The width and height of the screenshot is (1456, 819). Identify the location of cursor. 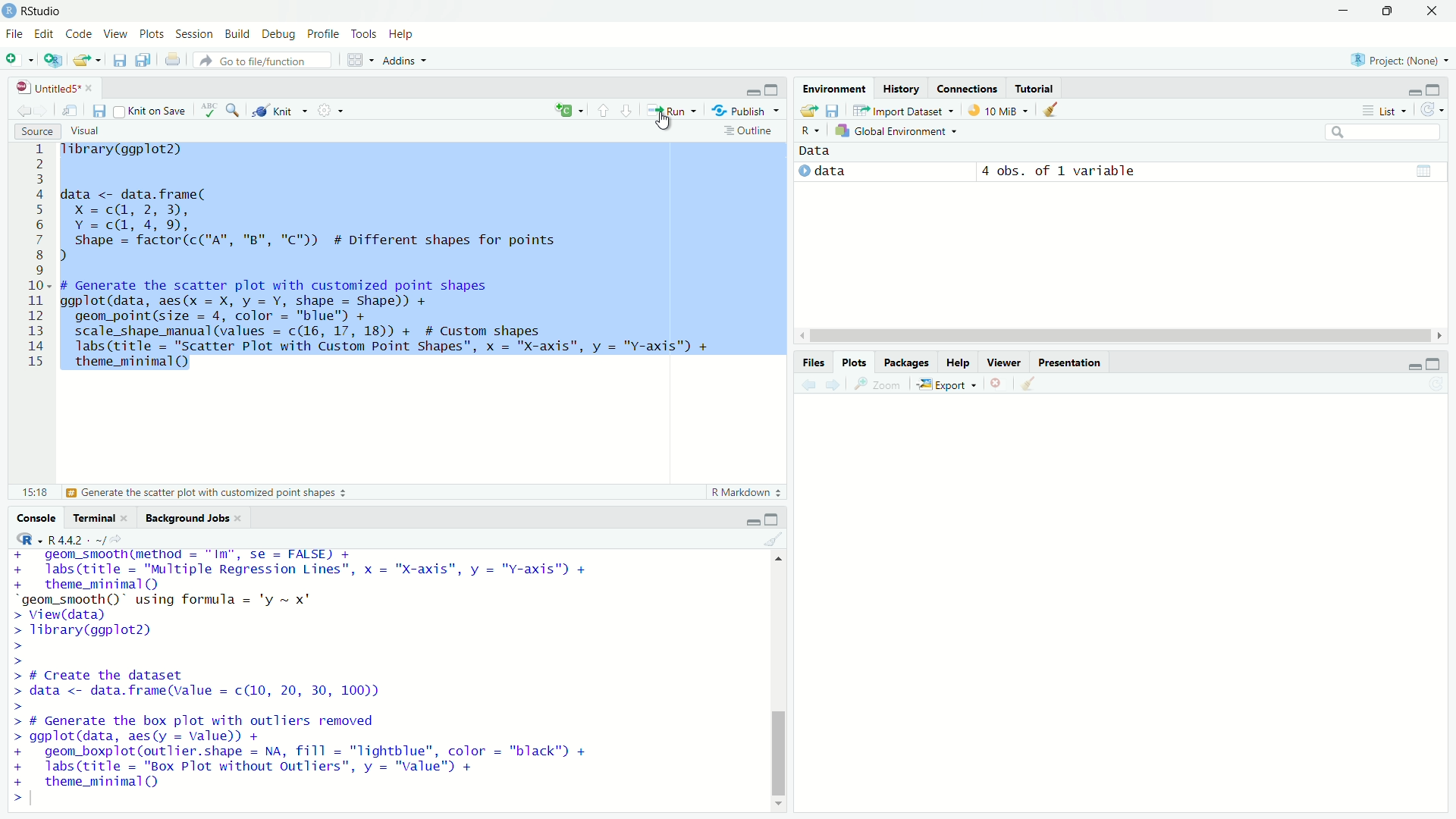
(664, 122).